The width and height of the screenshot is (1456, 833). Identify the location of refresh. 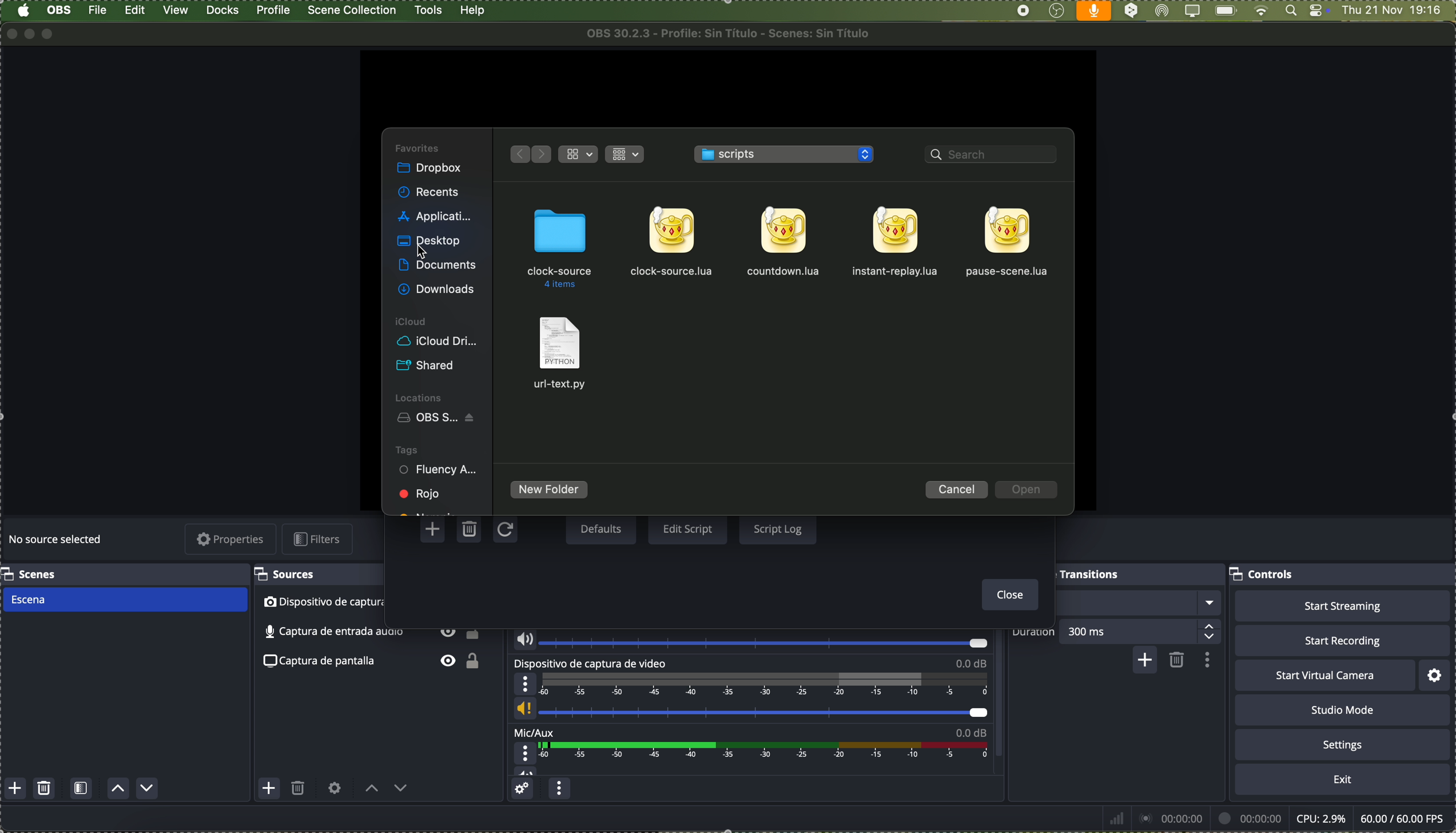
(504, 531).